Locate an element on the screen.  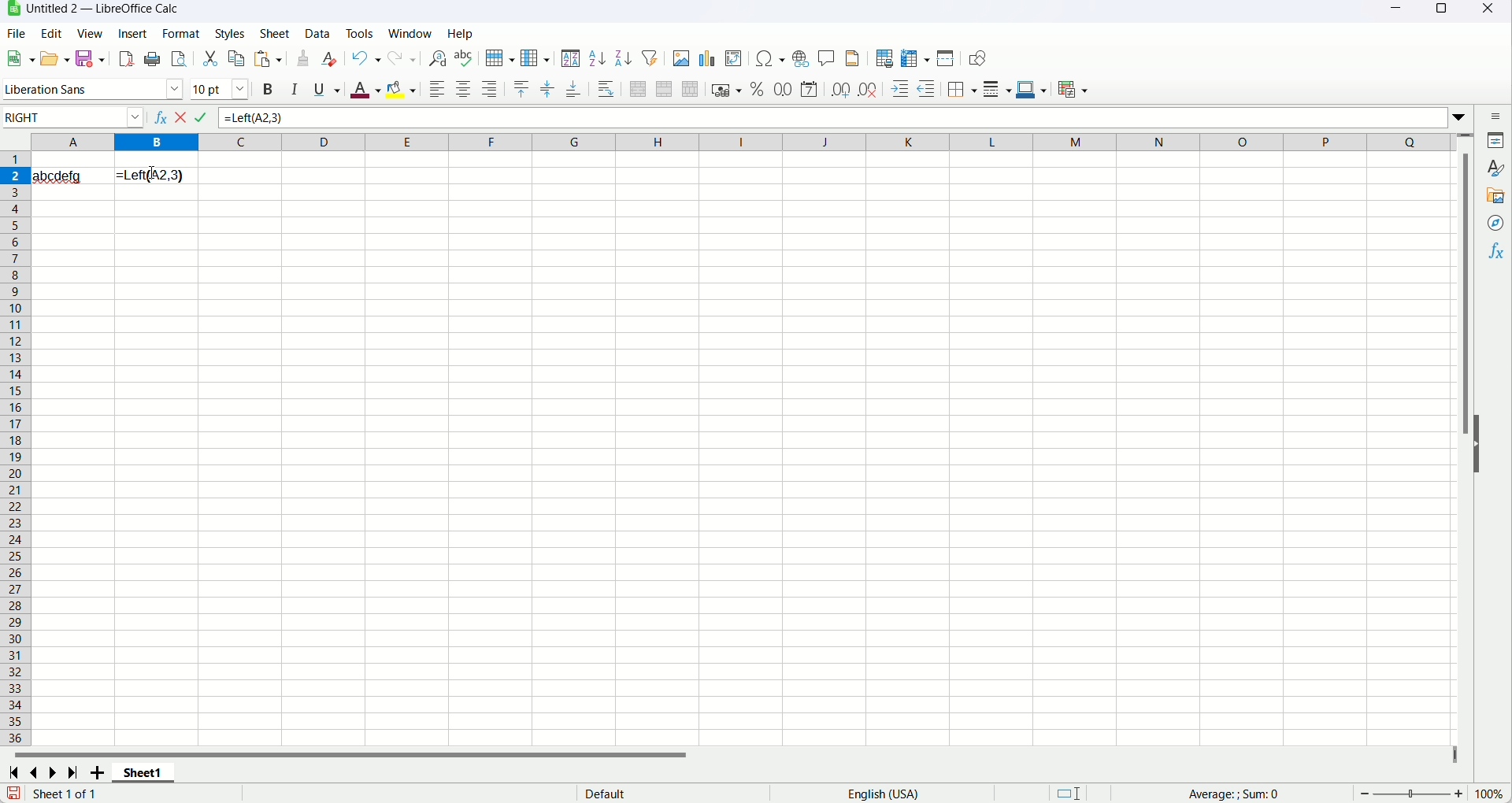
align right is located at coordinates (489, 88).